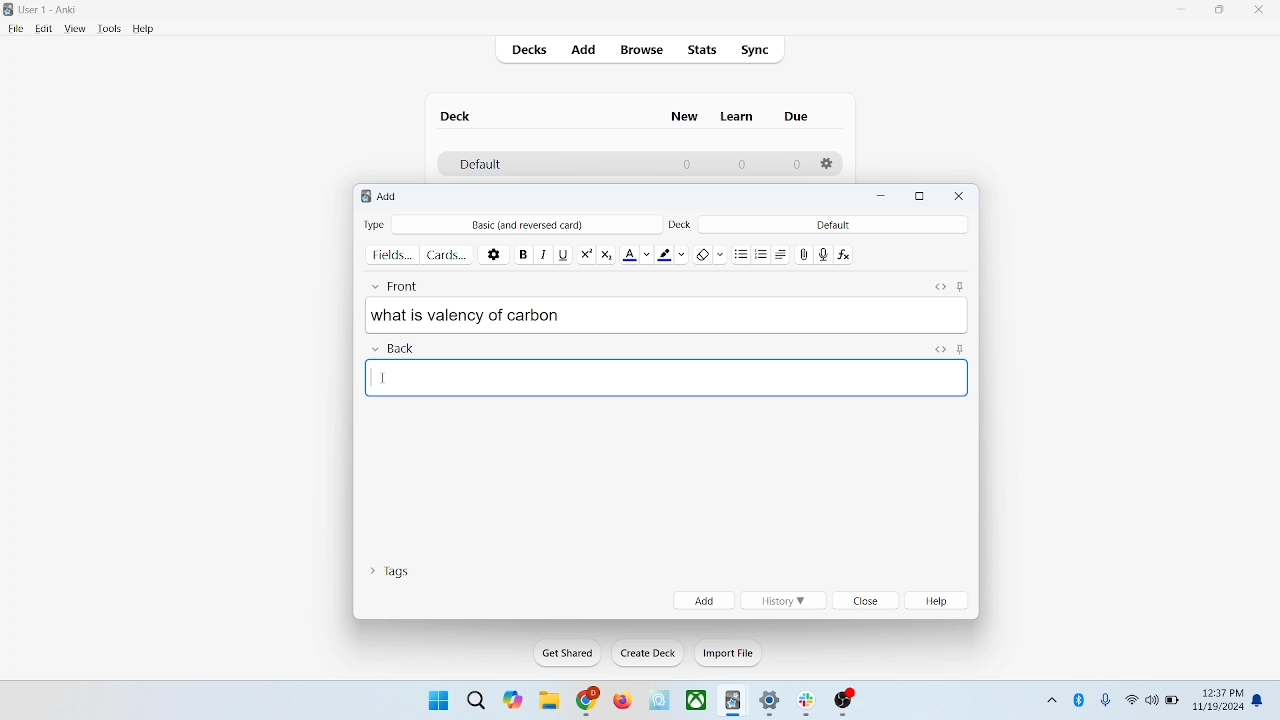  What do you see at coordinates (667, 314) in the screenshot?
I see `what is valency of carbon` at bounding box center [667, 314].